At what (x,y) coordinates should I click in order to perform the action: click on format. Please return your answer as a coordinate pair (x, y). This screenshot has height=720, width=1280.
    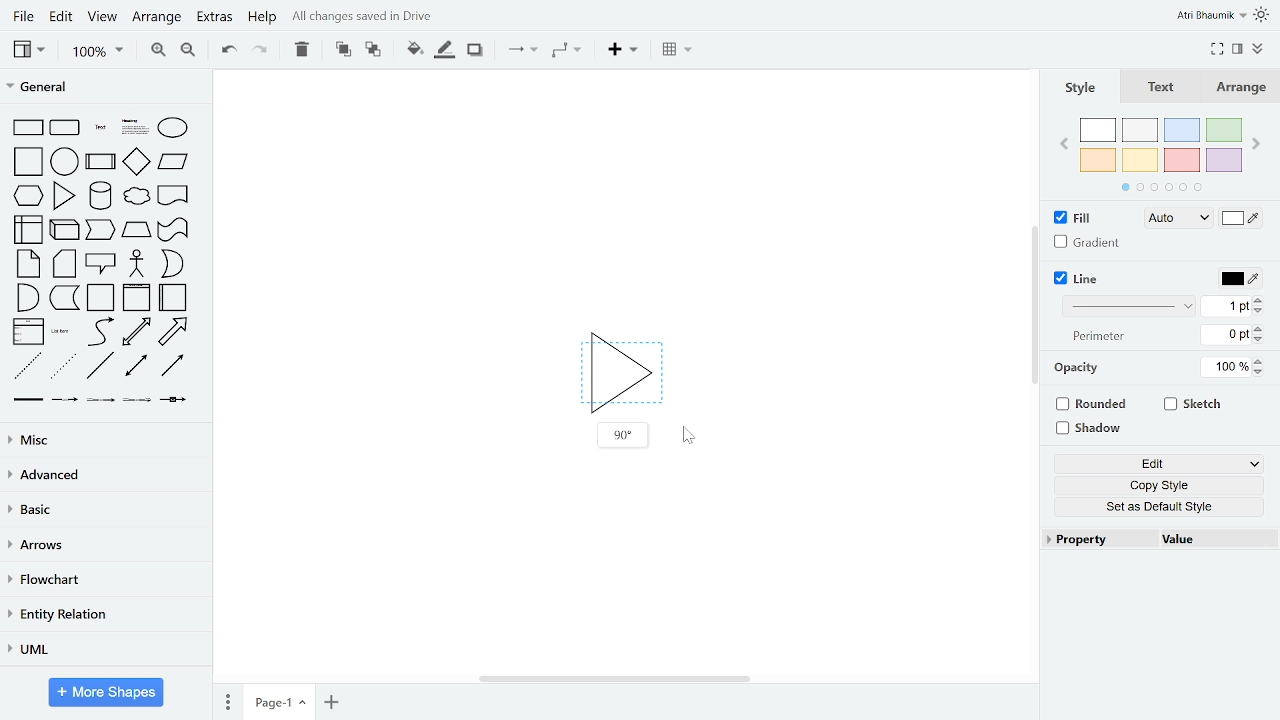
    Looking at the image, I should click on (1237, 48).